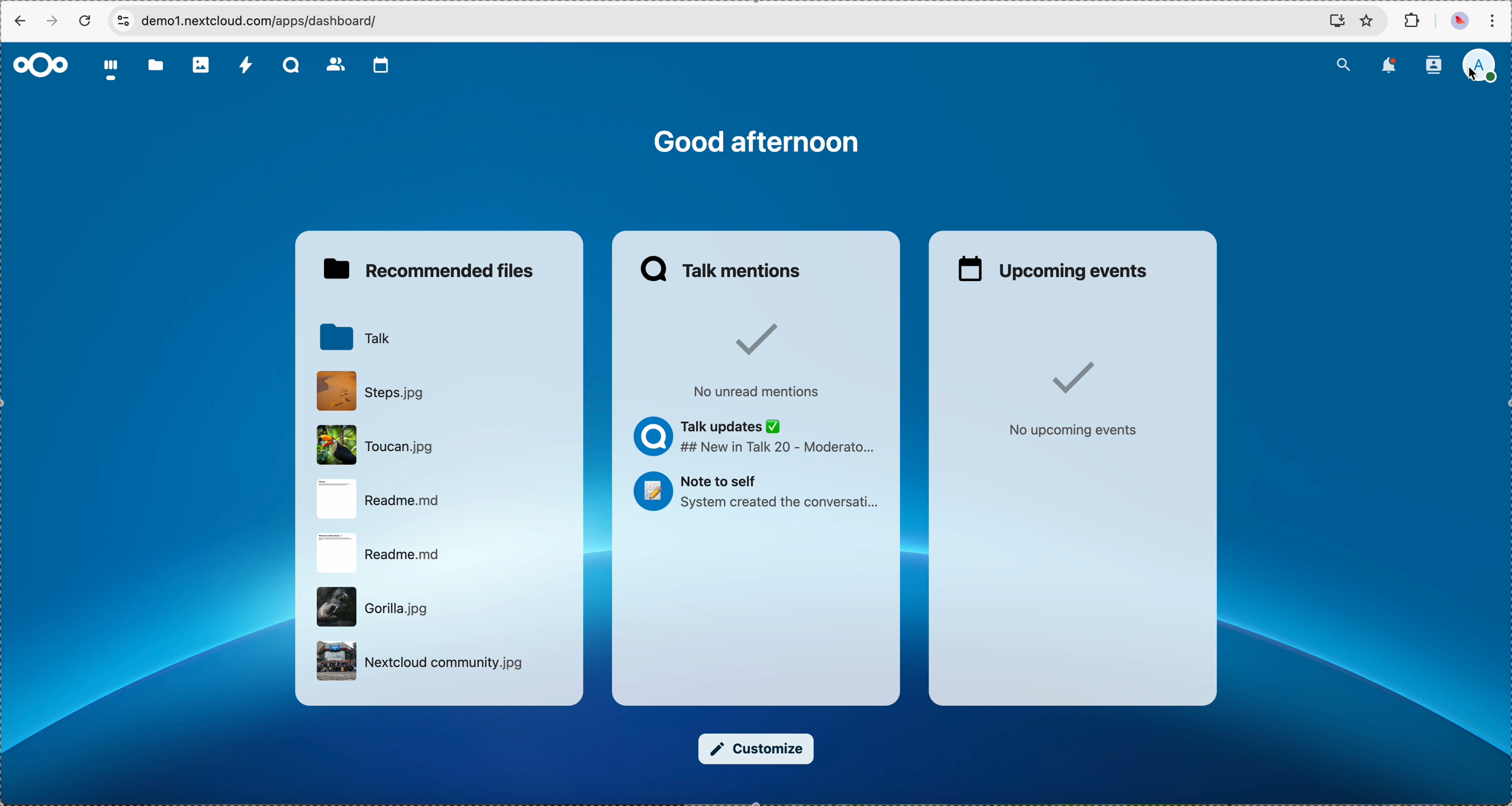 The height and width of the screenshot is (806, 1512). What do you see at coordinates (18, 23) in the screenshot?
I see `navigate back` at bounding box center [18, 23].